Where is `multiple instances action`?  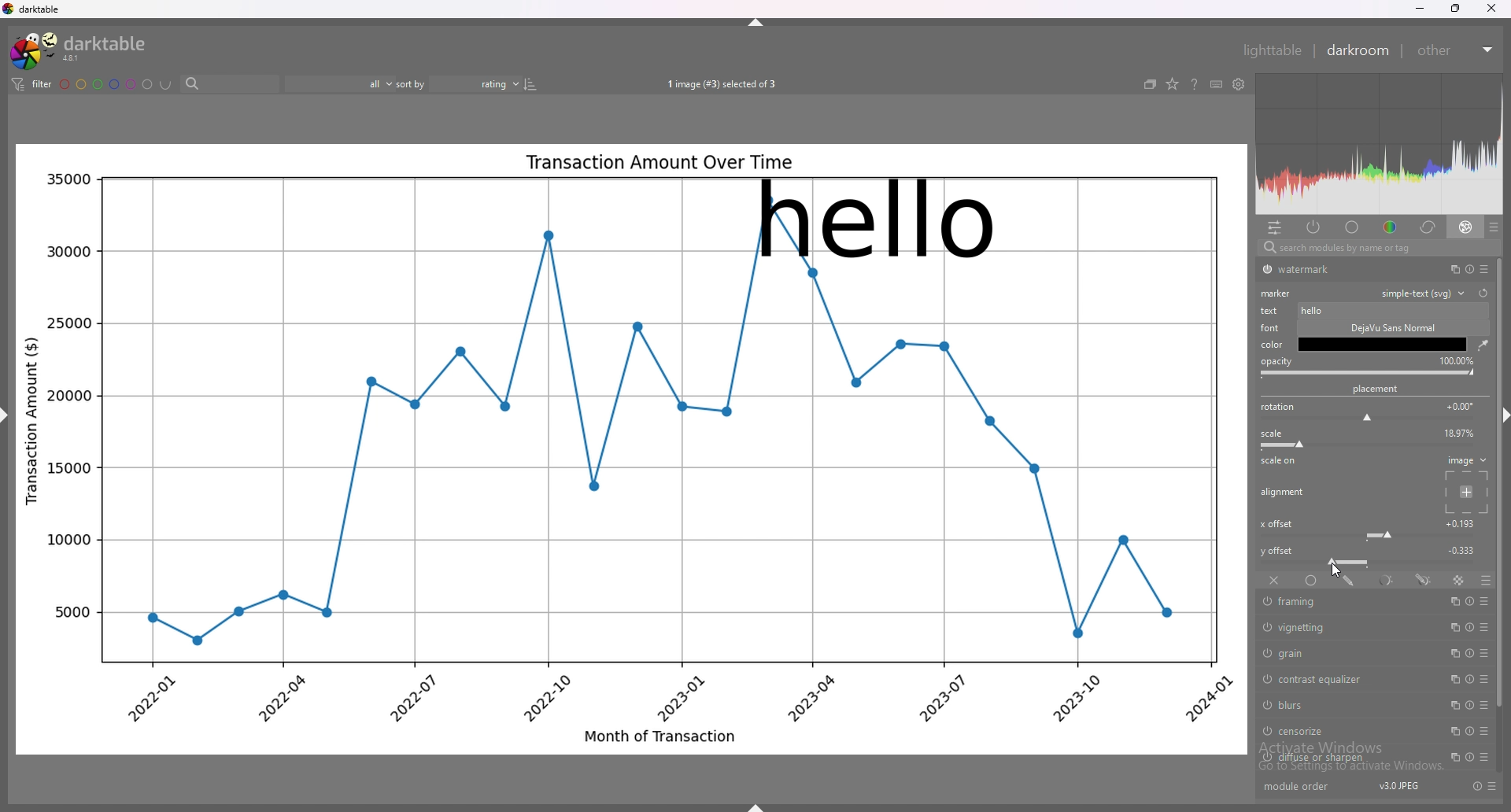
multiple instances action is located at coordinates (1450, 758).